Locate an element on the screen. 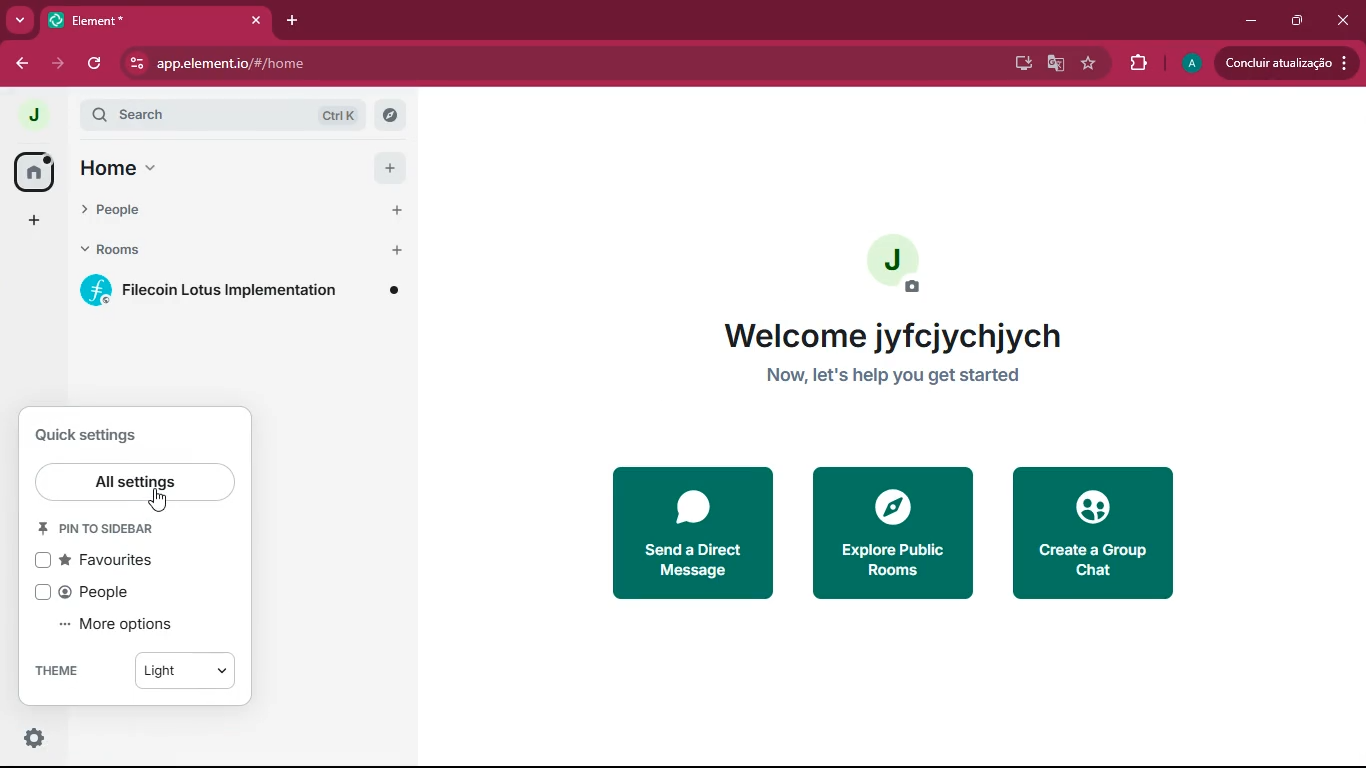 This screenshot has height=768, width=1366. extensions is located at coordinates (1137, 64).